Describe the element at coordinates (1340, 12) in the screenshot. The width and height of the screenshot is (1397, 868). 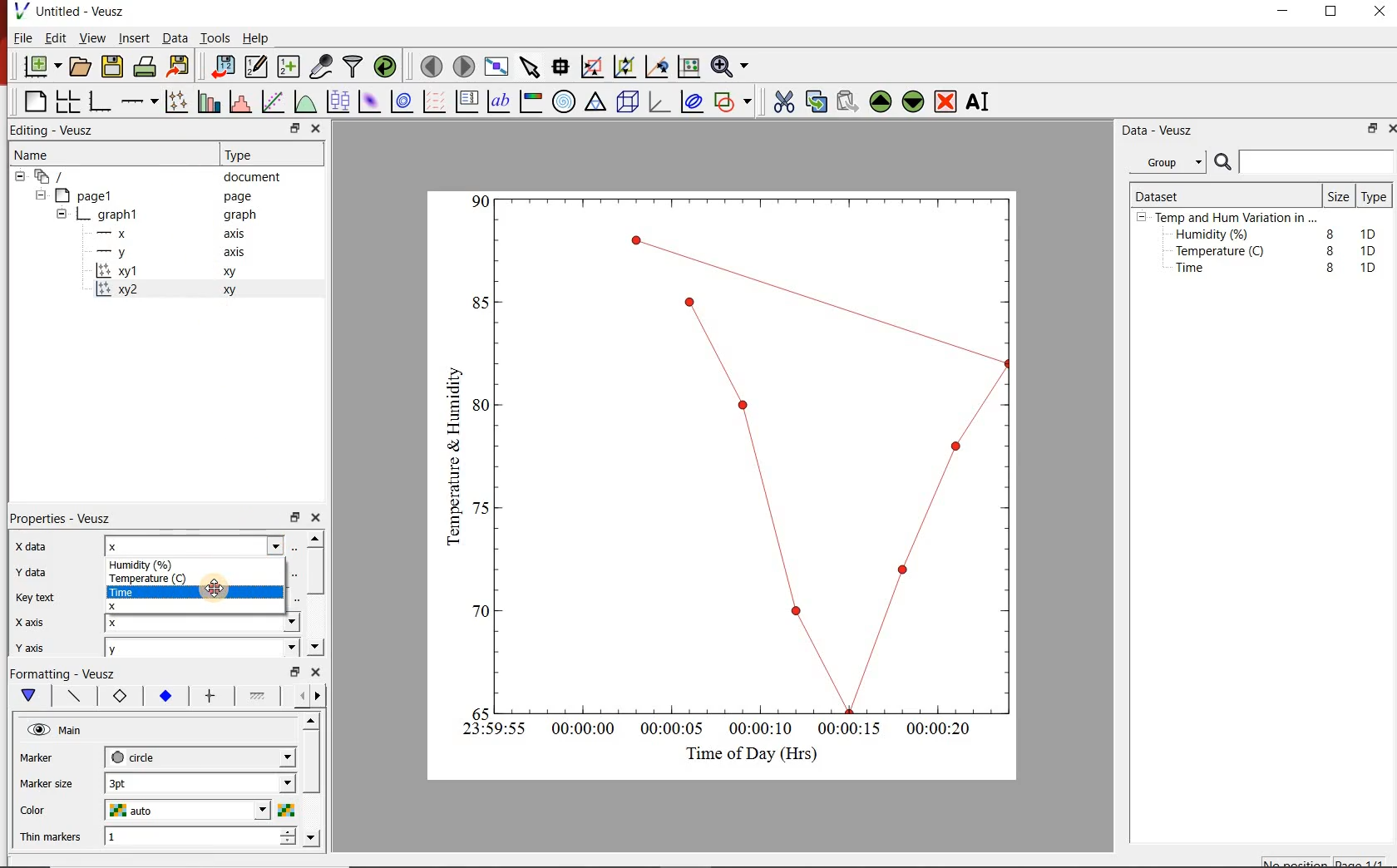
I see `maximize` at that location.